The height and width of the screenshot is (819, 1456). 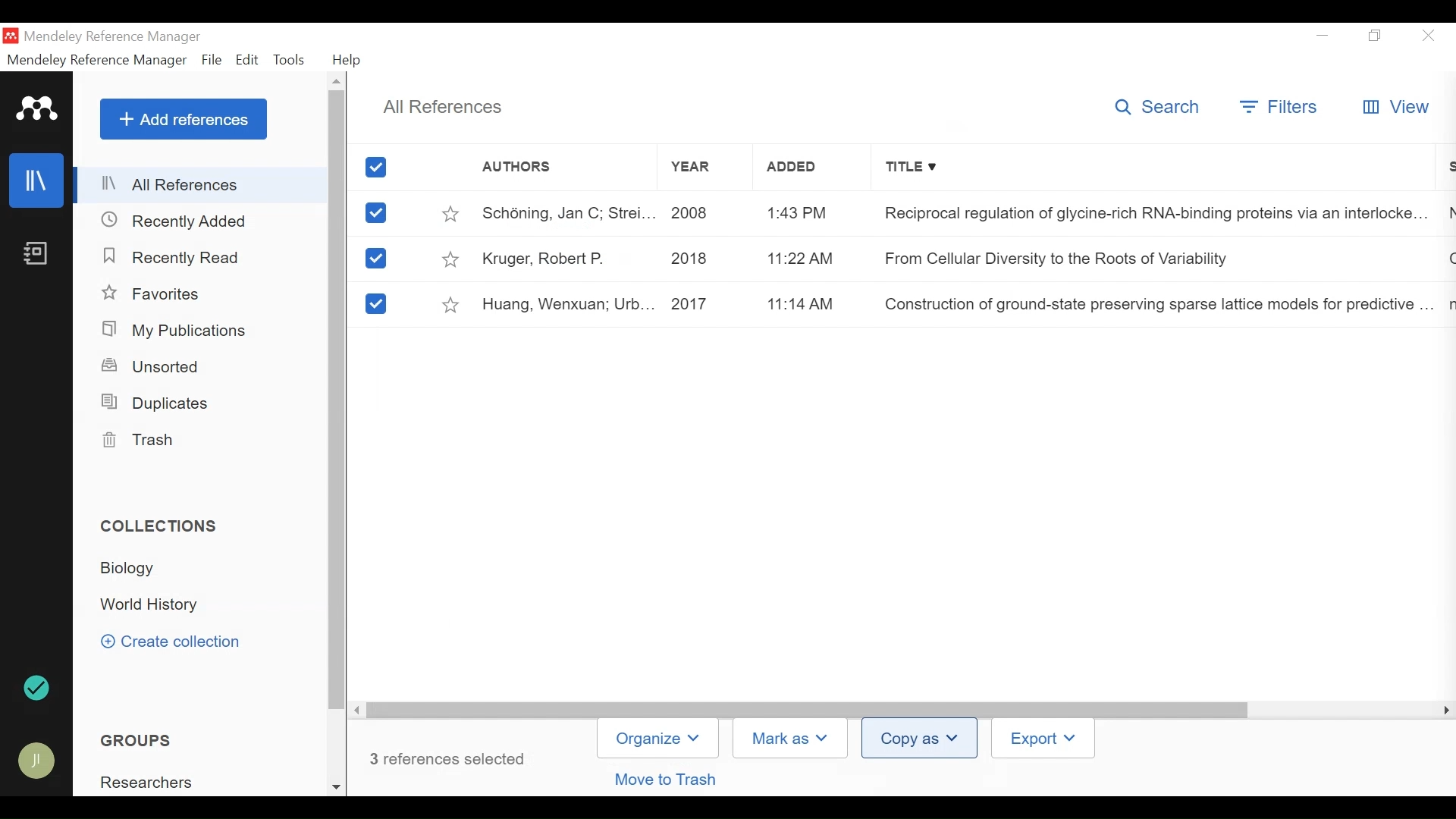 I want to click on File, so click(x=212, y=60).